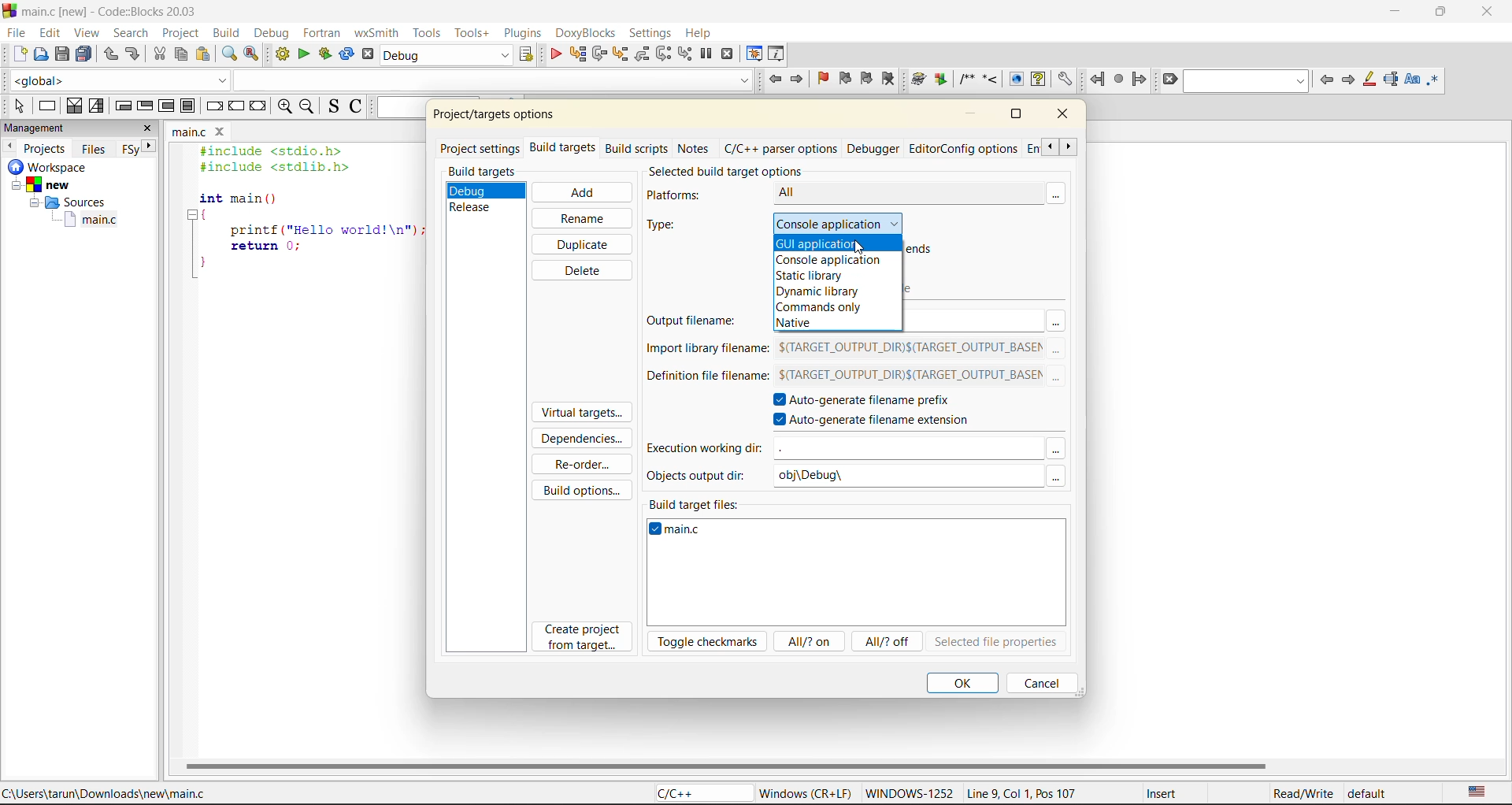 This screenshot has height=805, width=1512. Describe the element at coordinates (236, 107) in the screenshot. I see `continue instruction` at that location.